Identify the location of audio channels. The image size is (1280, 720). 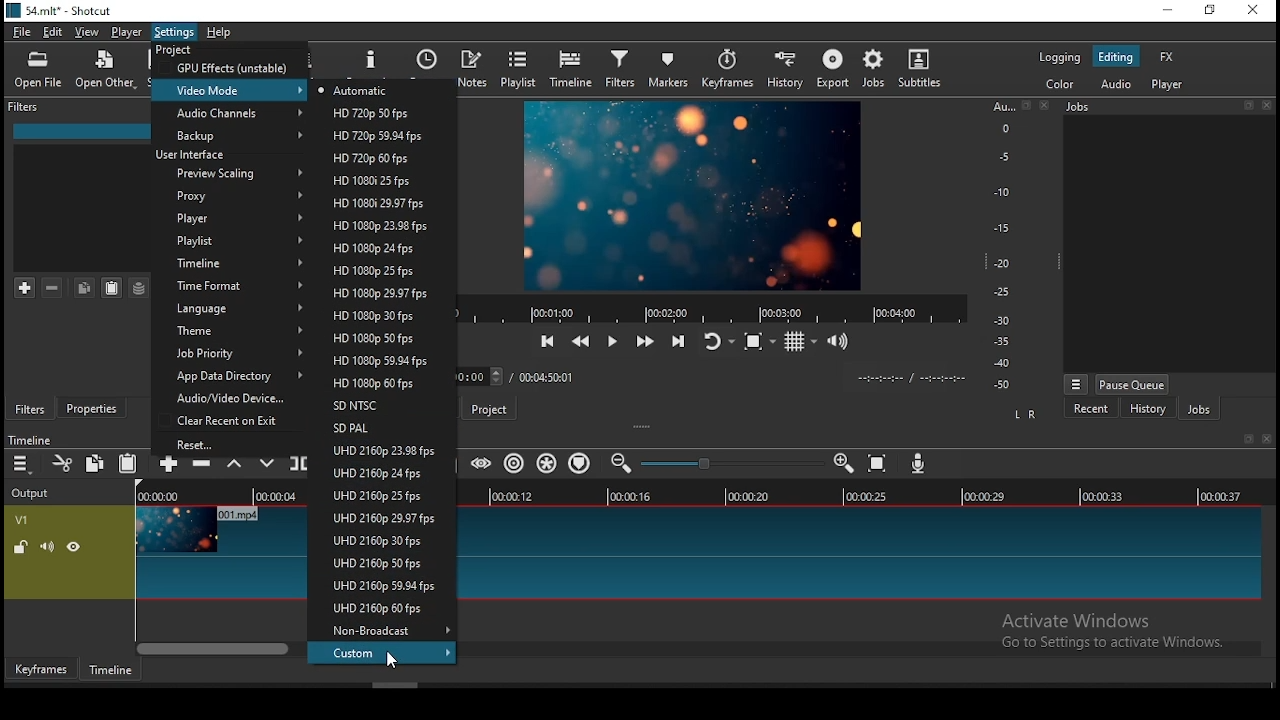
(232, 113).